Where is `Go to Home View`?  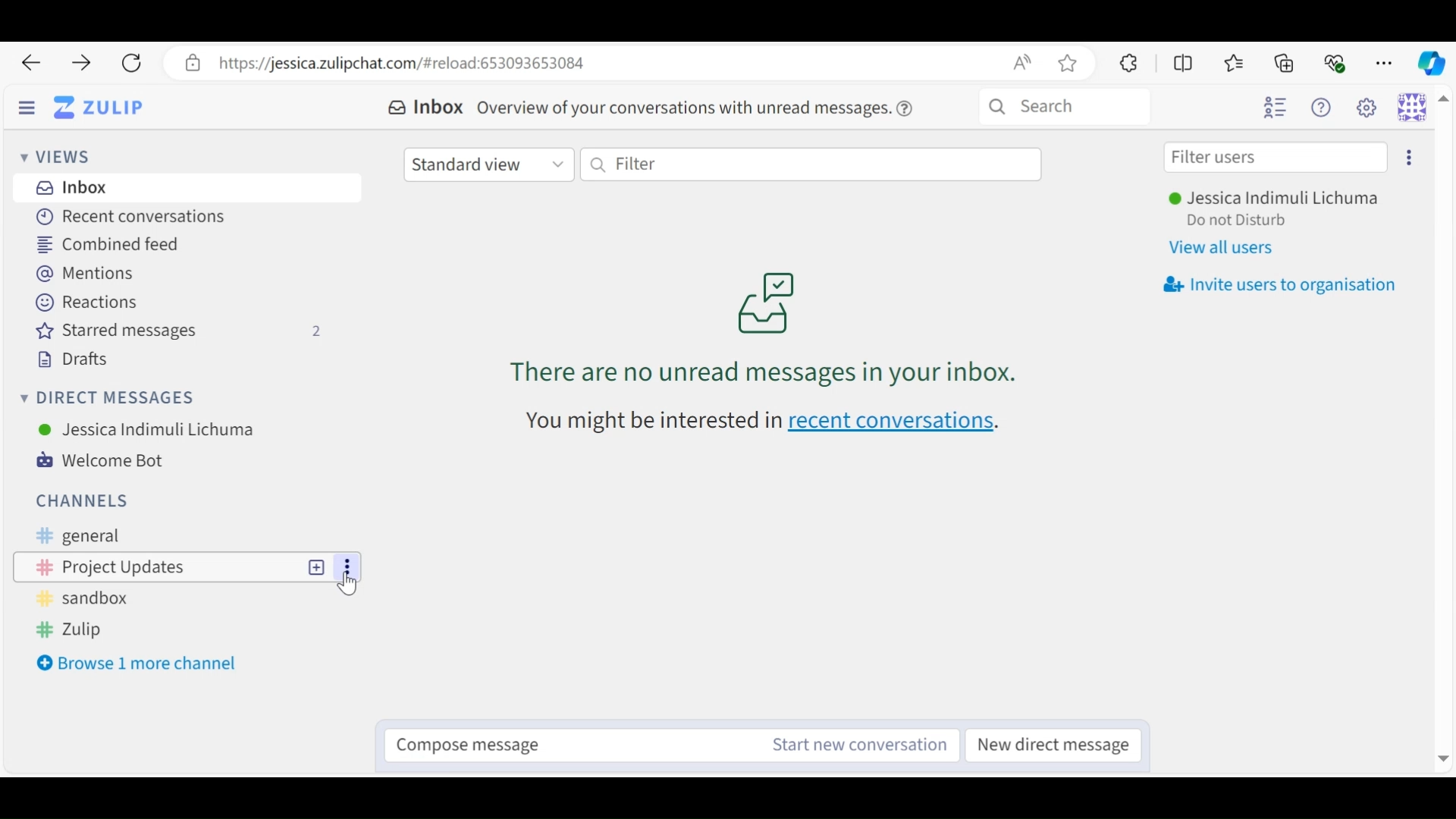 Go to Home View is located at coordinates (98, 108).